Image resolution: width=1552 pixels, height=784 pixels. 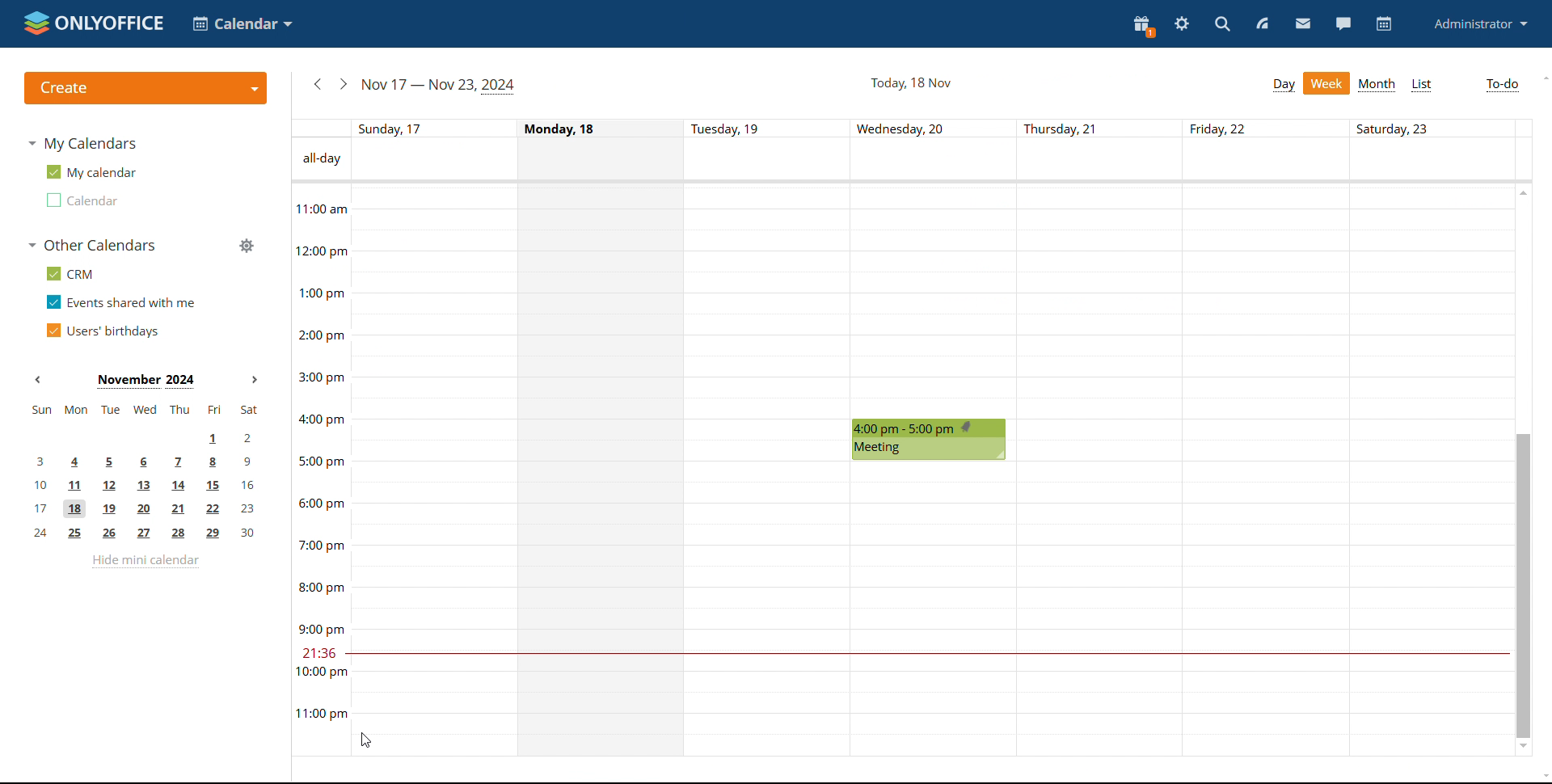 What do you see at coordinates (940, 128) in the screenshot?
I see `dates of a week` at bounding box center [940, 128].